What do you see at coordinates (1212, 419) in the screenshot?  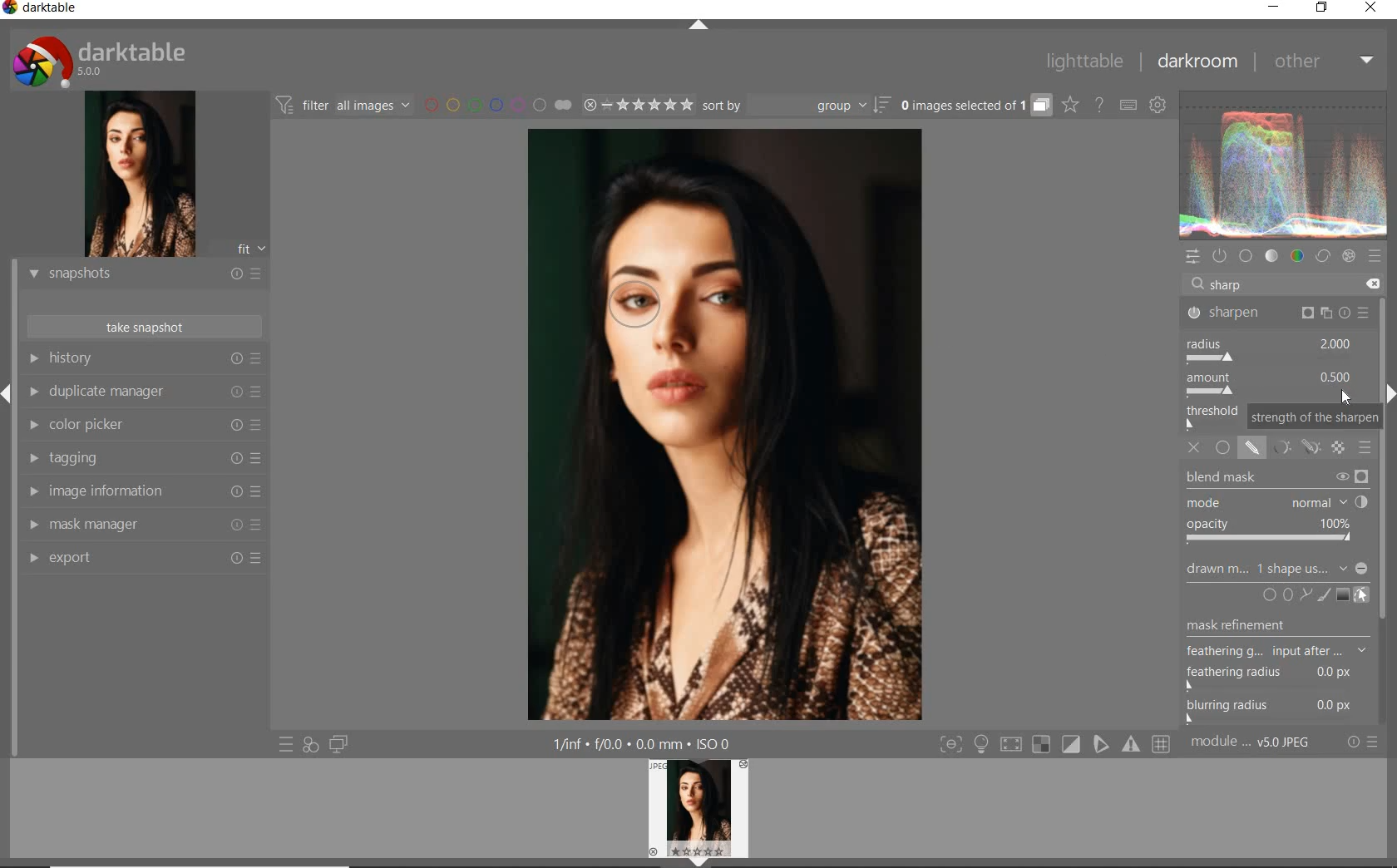 I see `THRESHOLD` at bounding box center [1212, 419].